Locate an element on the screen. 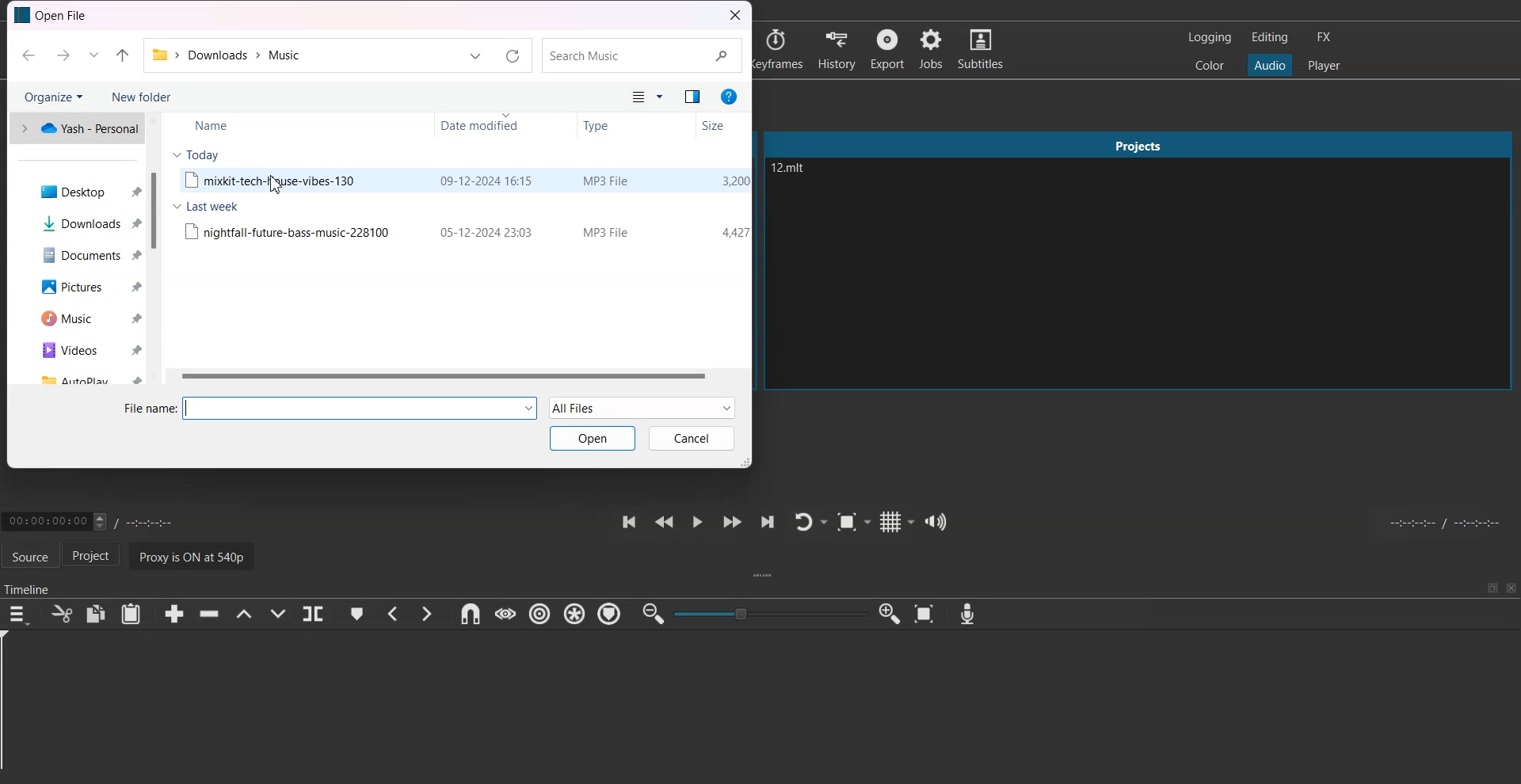  Cancel is located at coordinates (692, 438).